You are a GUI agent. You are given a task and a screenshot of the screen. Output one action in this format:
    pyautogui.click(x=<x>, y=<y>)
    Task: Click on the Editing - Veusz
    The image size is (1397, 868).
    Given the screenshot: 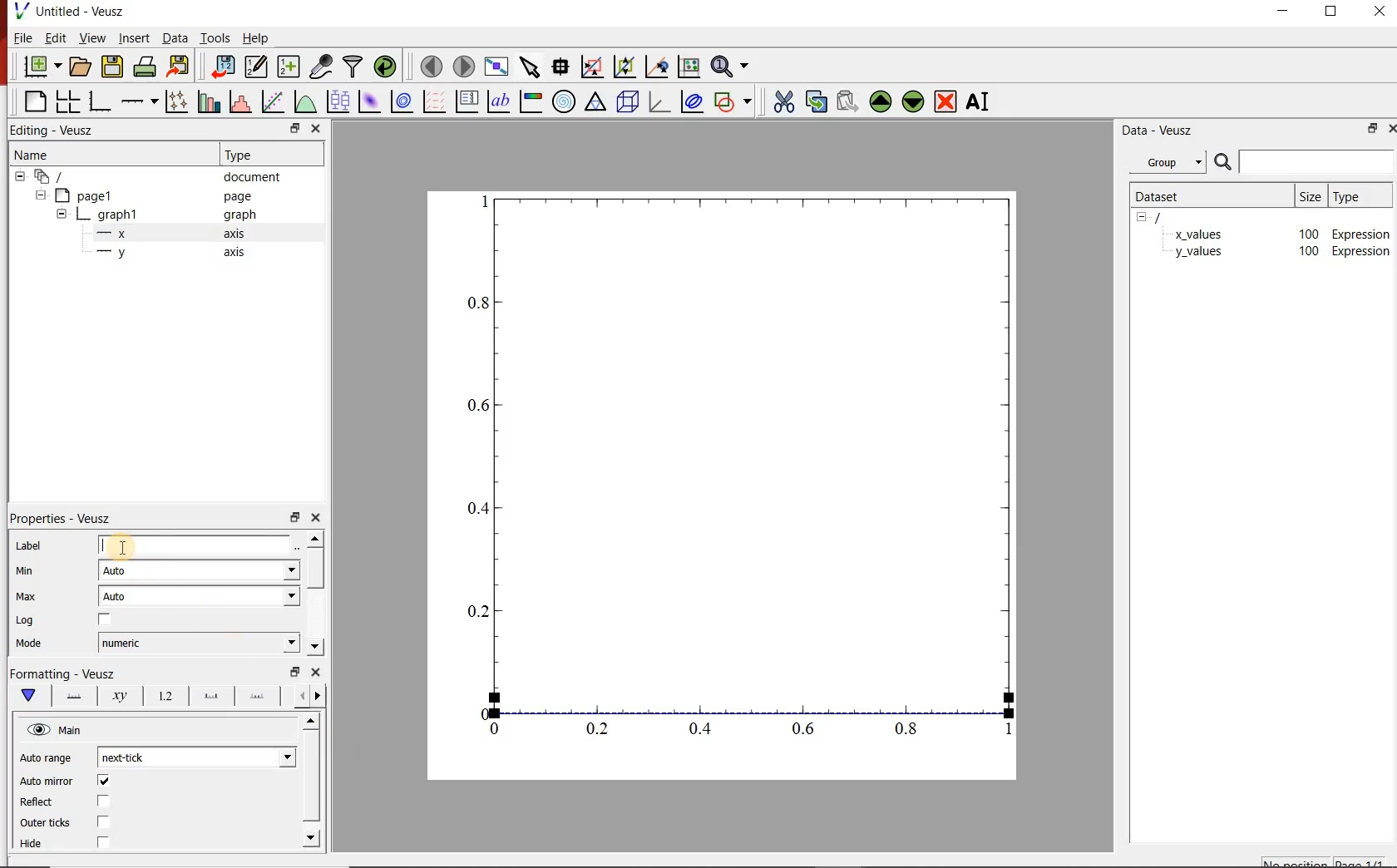 What is the action you would take?
    pyautogui.click(x=53, y=131)
    